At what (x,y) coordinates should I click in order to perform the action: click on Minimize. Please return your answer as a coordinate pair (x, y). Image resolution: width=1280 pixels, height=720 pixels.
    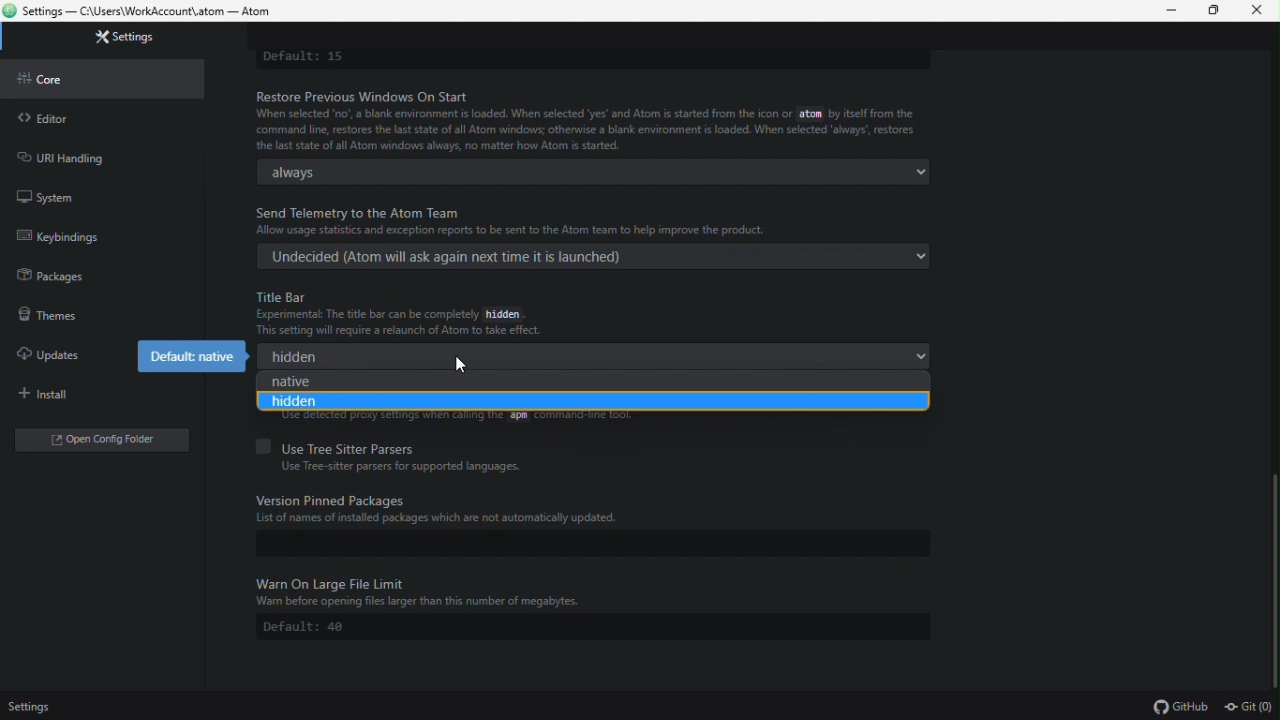
    Looking at the image, I should click on (1173, 11).